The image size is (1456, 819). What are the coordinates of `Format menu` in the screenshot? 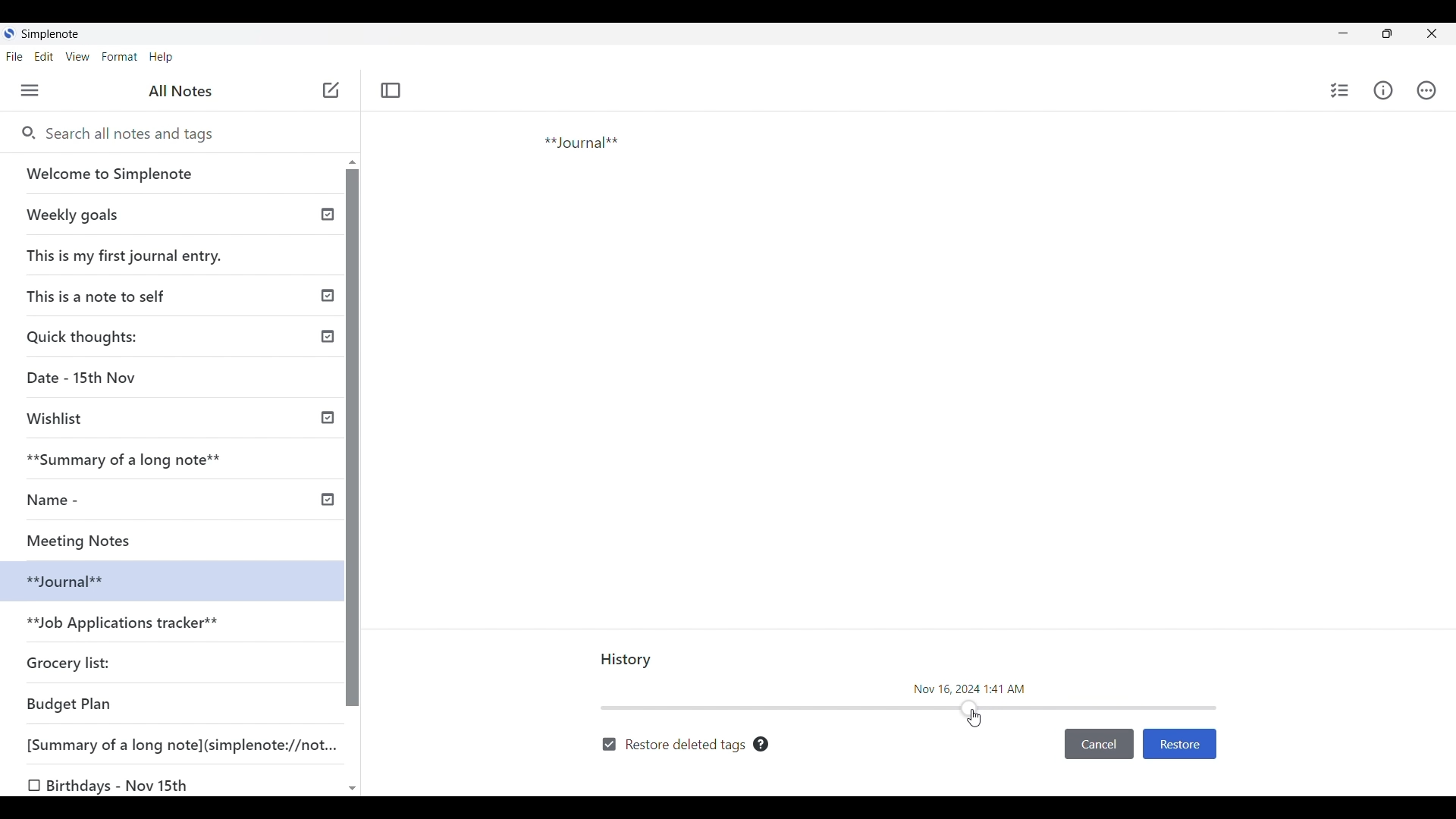 It's located at (121, 57).